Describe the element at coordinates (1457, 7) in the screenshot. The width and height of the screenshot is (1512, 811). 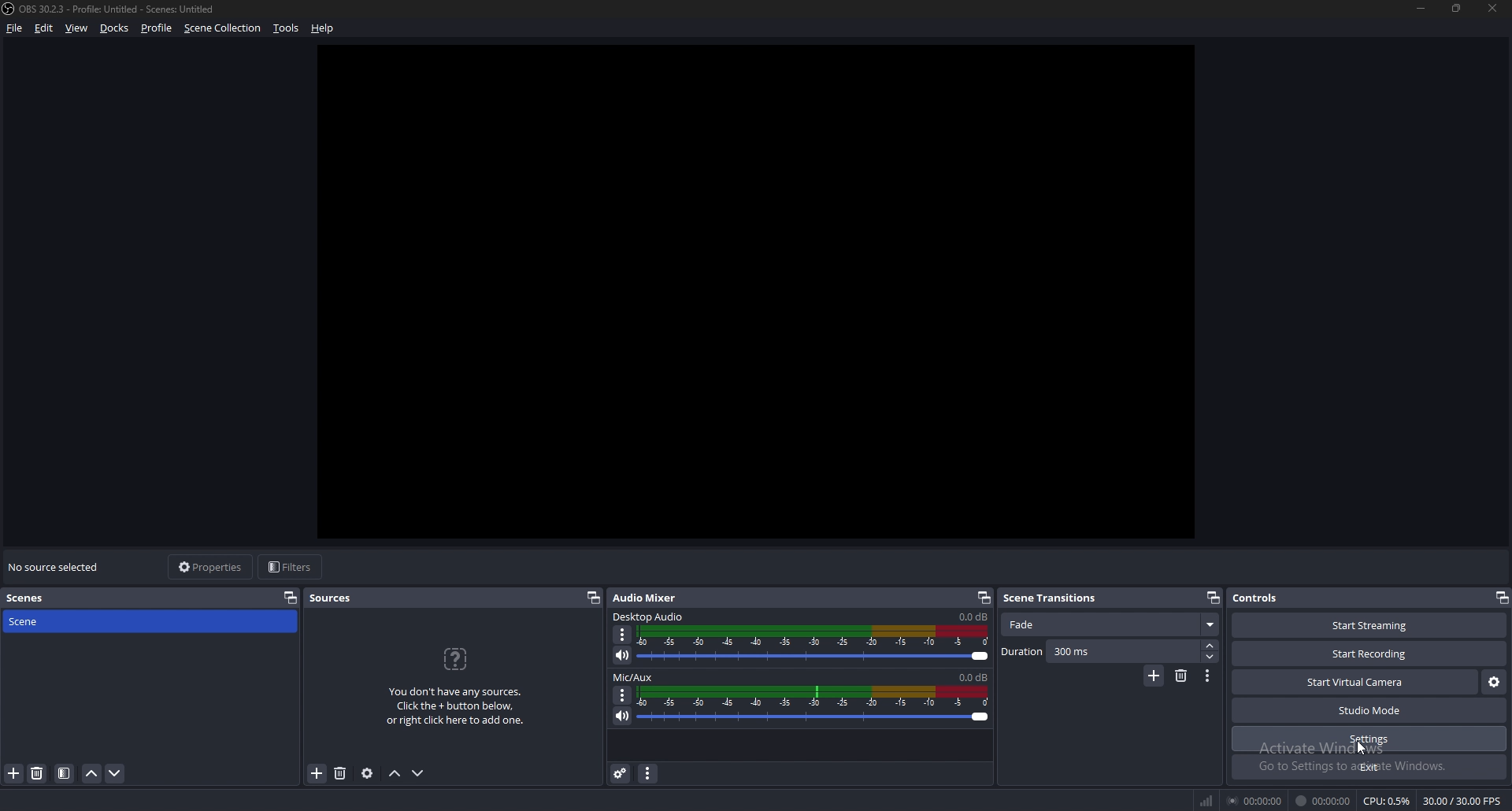
I see `resize` at that location.